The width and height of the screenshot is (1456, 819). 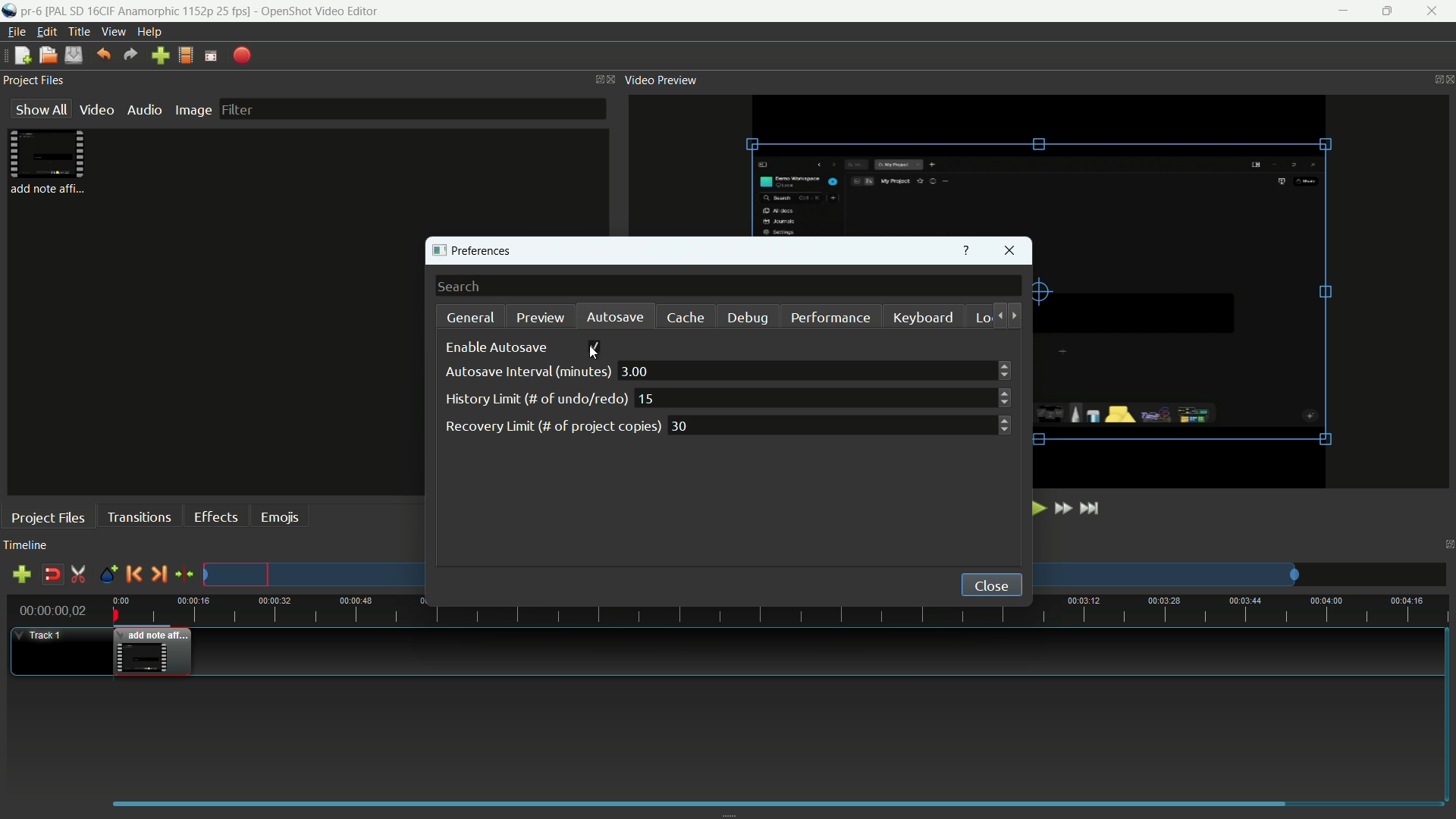 What do you see at coordinates (211, 56) in the screenshot?
I see `full screen` at bounding box center [211, 56].